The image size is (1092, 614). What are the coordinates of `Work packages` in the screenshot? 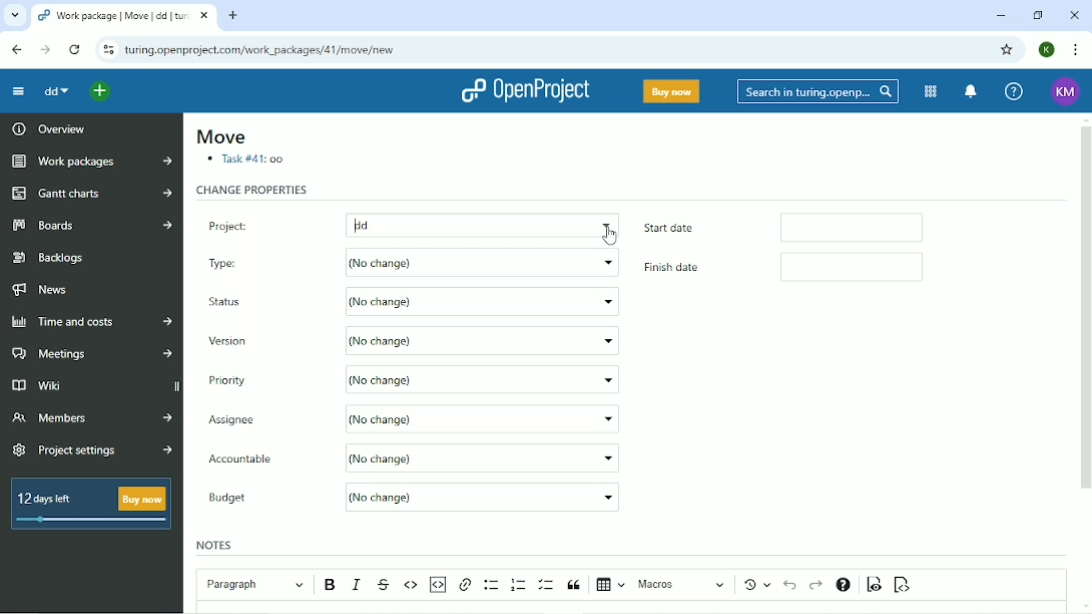 It's located at (91, 162).